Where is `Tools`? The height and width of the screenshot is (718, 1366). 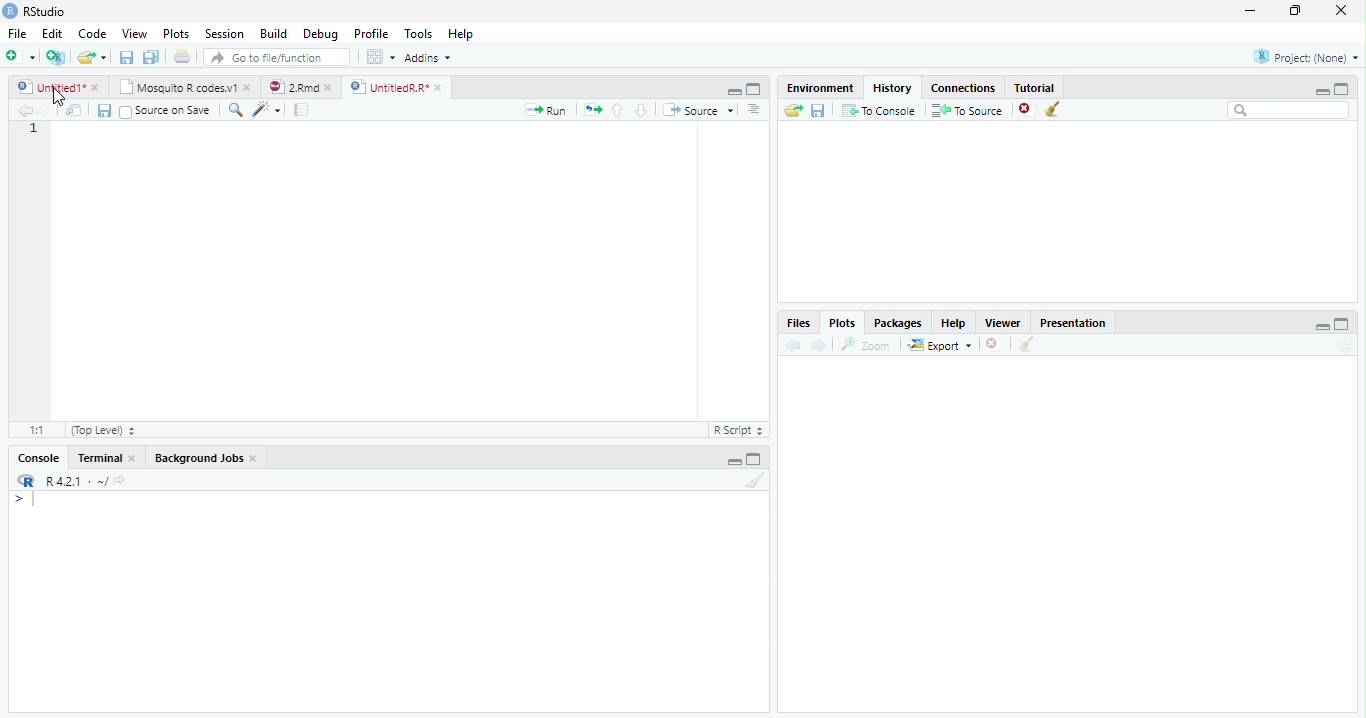
Tools is located at coordinates (420, 33).